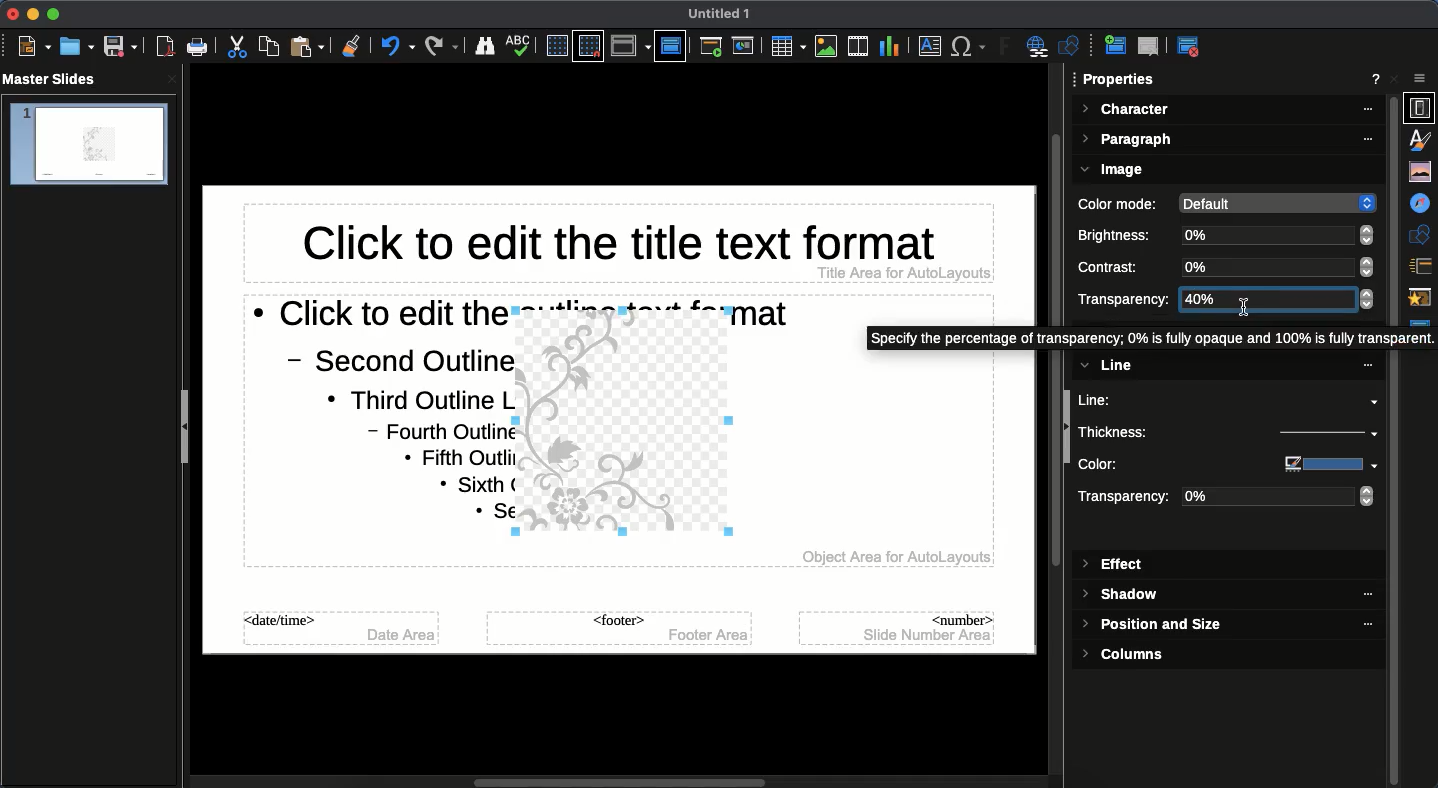 The image size is (1438, 788). What do you see at coordinates (1159, 431) in the screenshot?
I see `Thickness` at bounding box center [1159, 431].